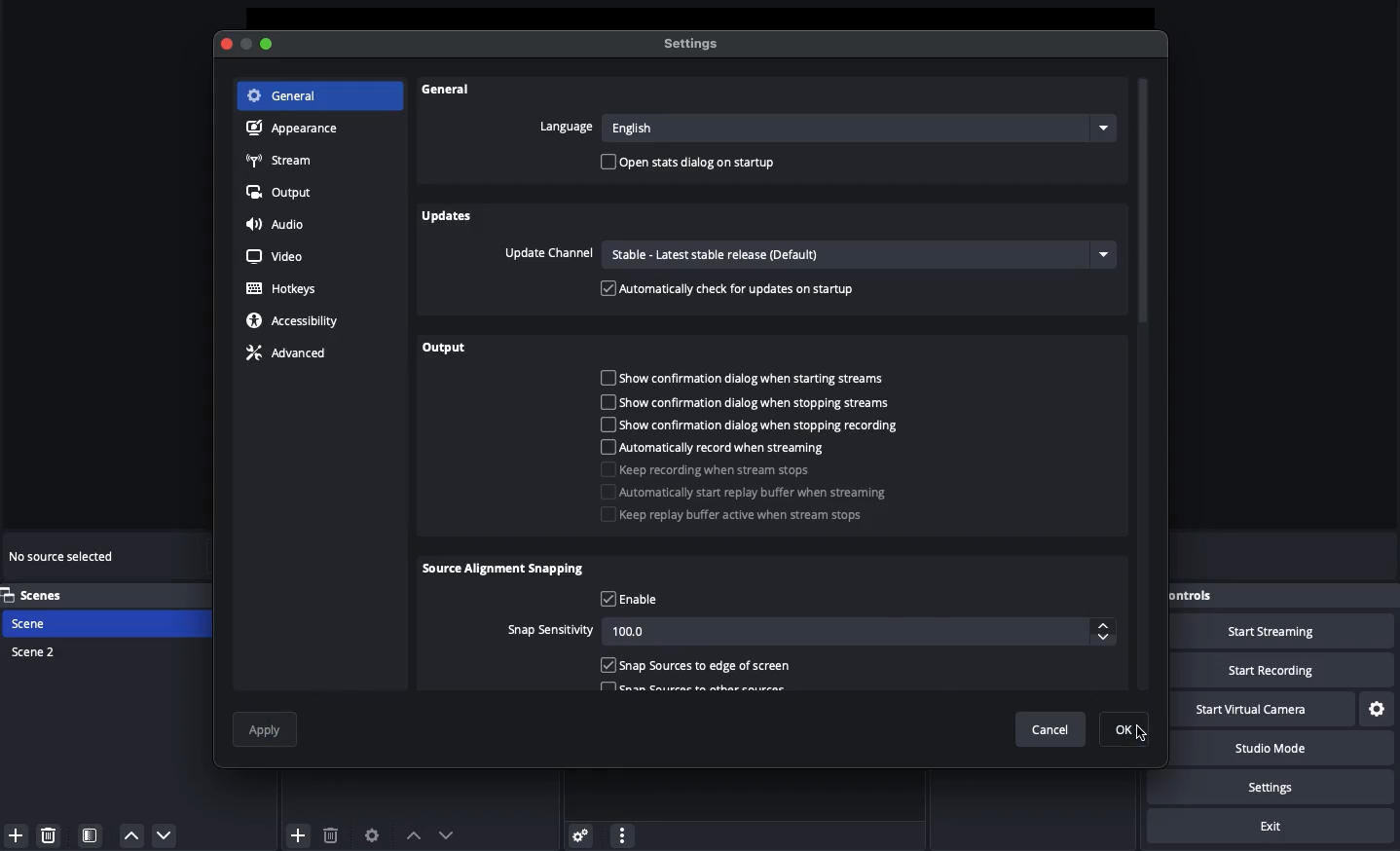 Image resolution: width=1400 pixels, height=851 pixels. I want to click on Cursor, so click(1133, 730).